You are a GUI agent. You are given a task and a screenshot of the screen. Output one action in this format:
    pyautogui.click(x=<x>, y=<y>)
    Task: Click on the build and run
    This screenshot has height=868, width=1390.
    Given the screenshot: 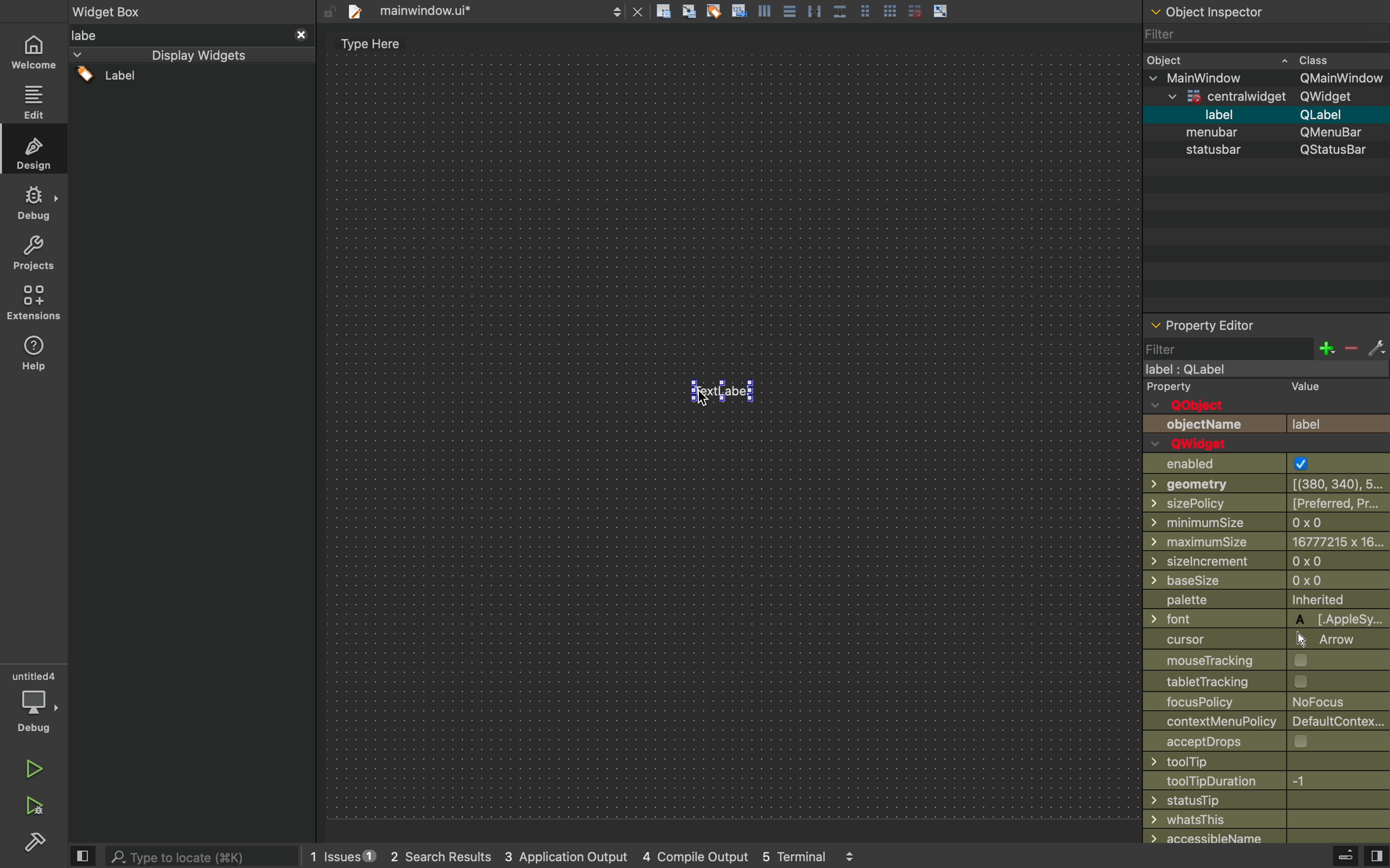 What is the action you would take?
    pyautogui.click(x=33, y=805)
    